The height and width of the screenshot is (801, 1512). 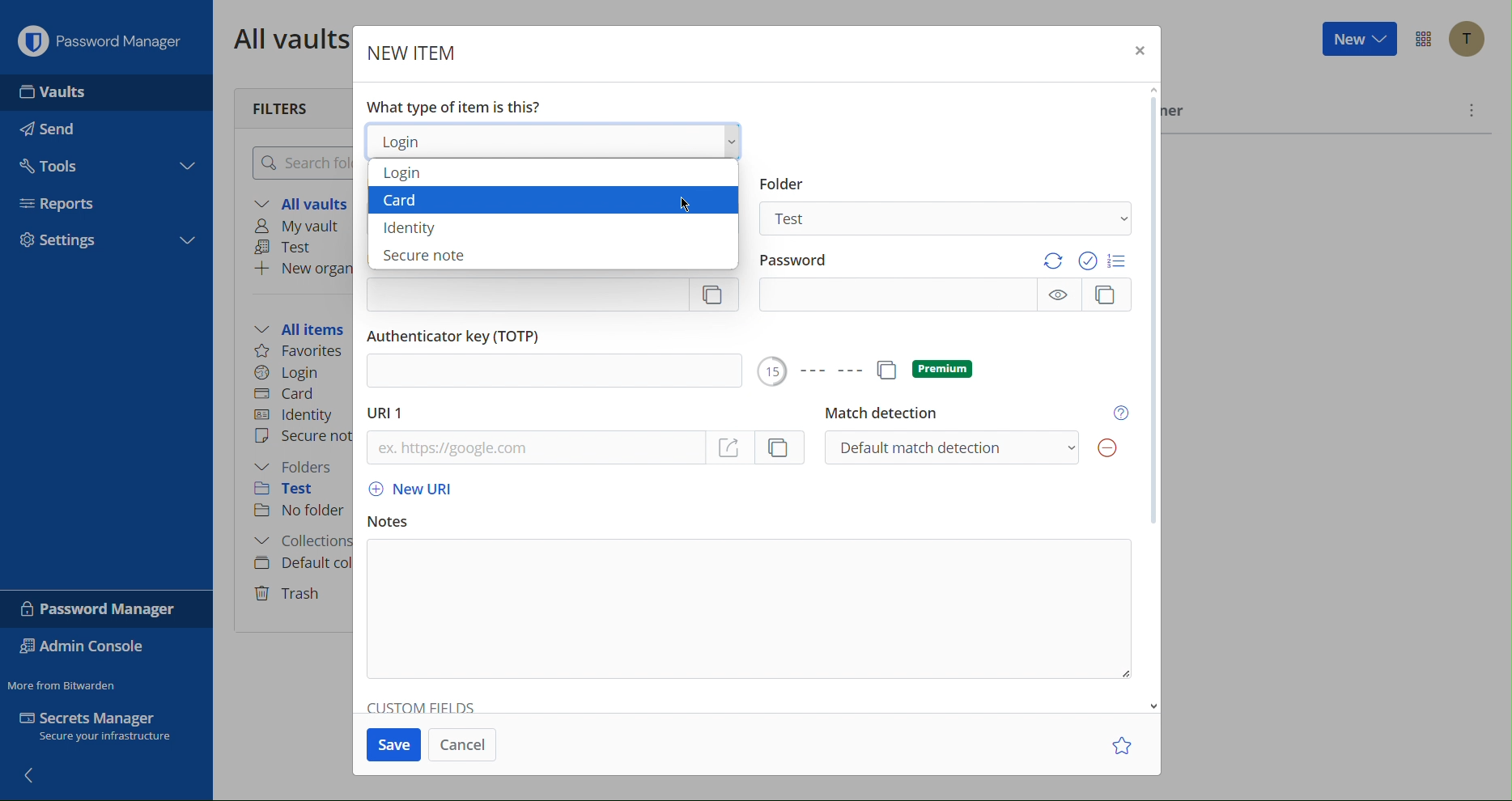 I want to click on New organization, so click(x=301, y=269).